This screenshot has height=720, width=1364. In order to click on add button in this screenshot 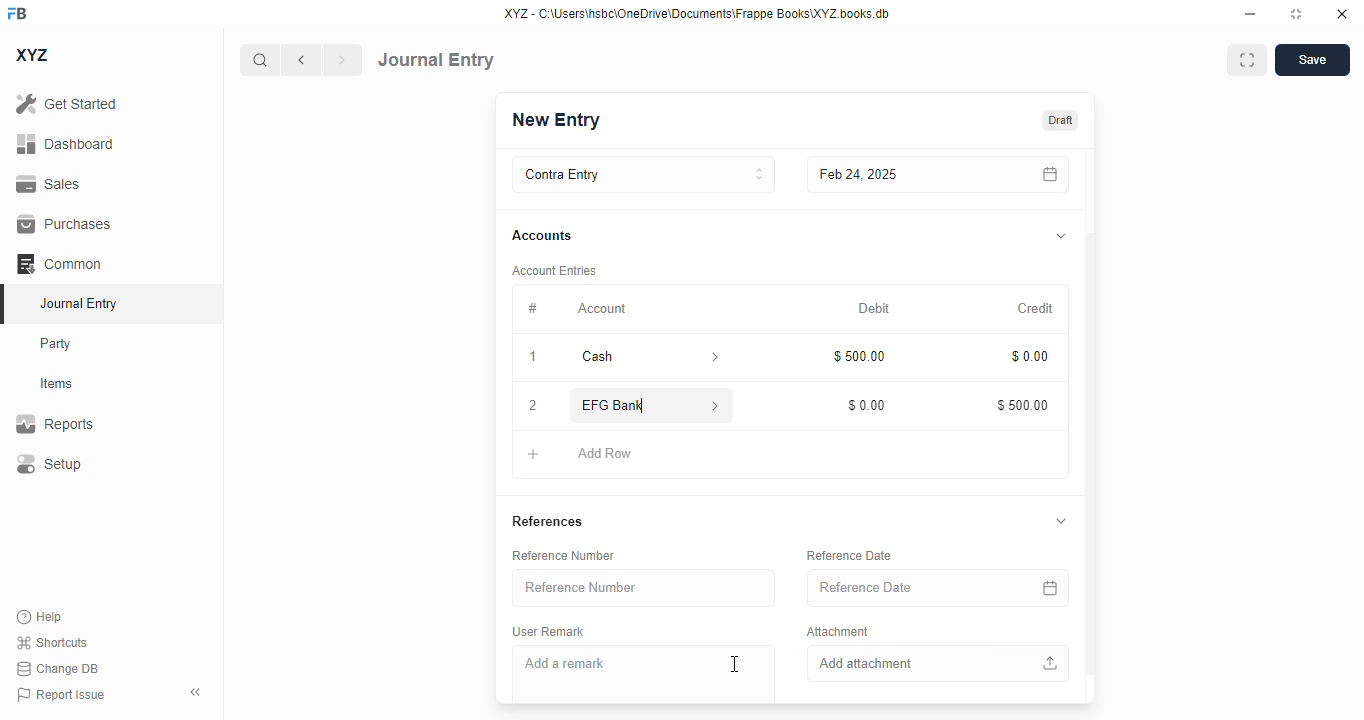, I will do `click(533, 455)`.